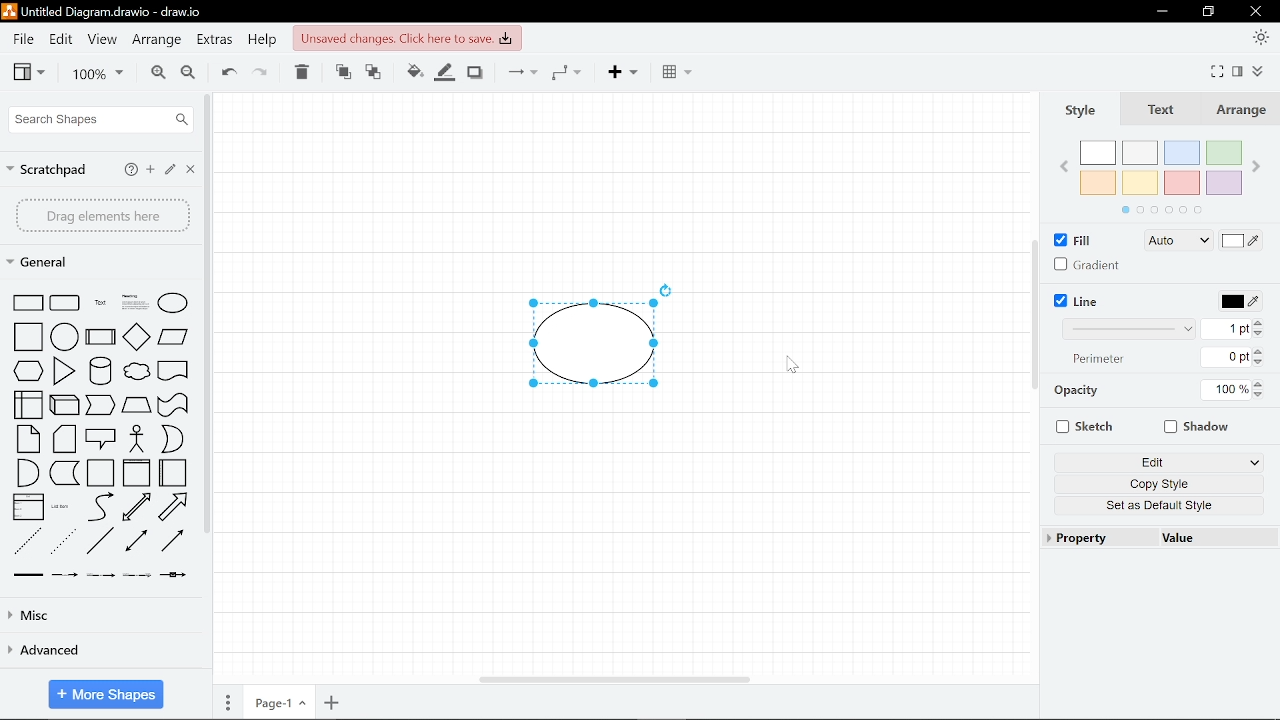 This screenshot has width=1280, height=720. Describe the element at coordinates (101, 440) in the screenshot. I see `callout` at that location.